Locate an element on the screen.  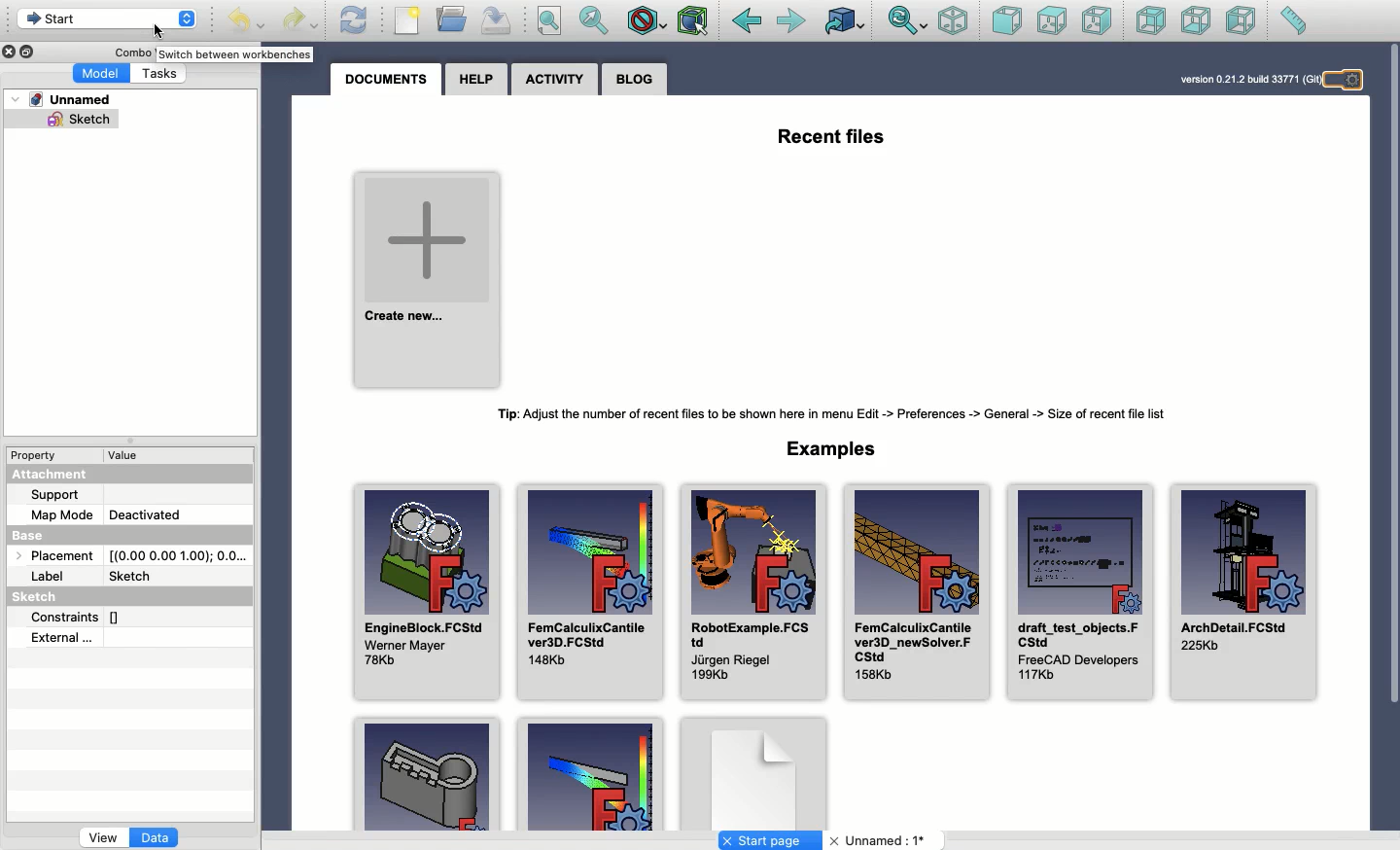
Left is located at coordinates (1242, 20).